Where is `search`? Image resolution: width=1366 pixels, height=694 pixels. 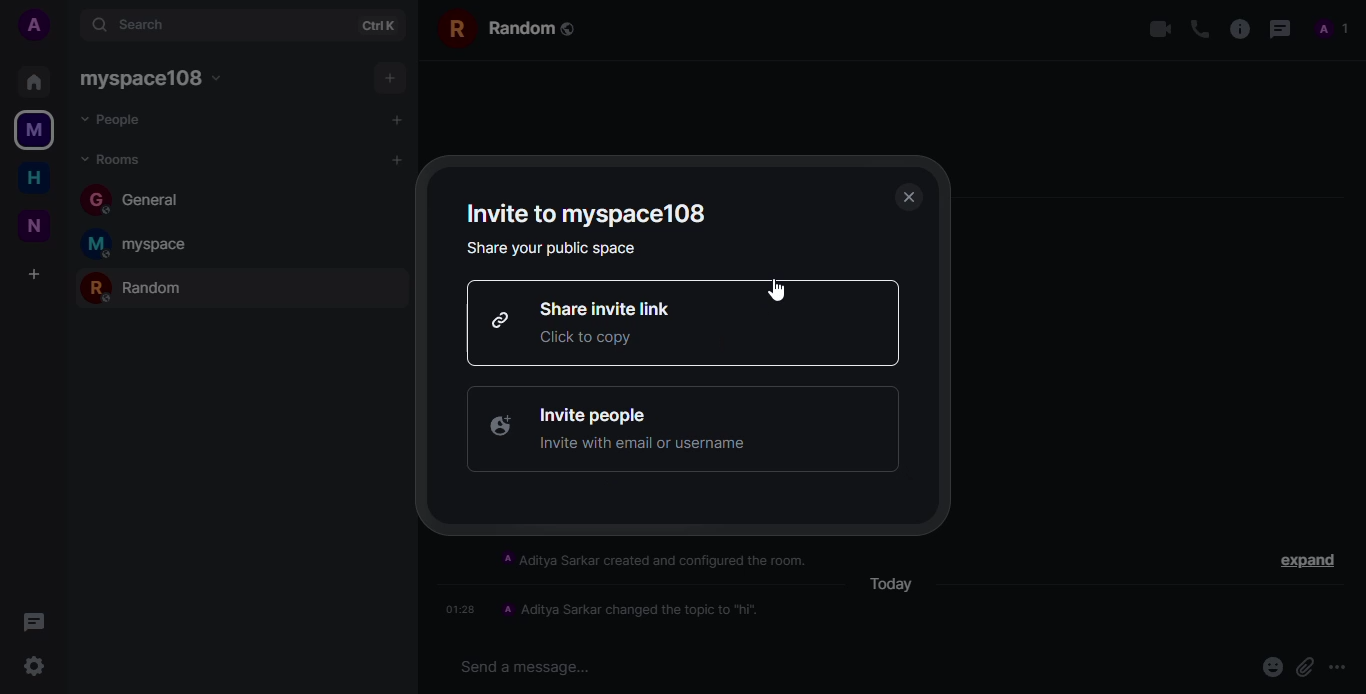 search is located at coordinates (138, 23).